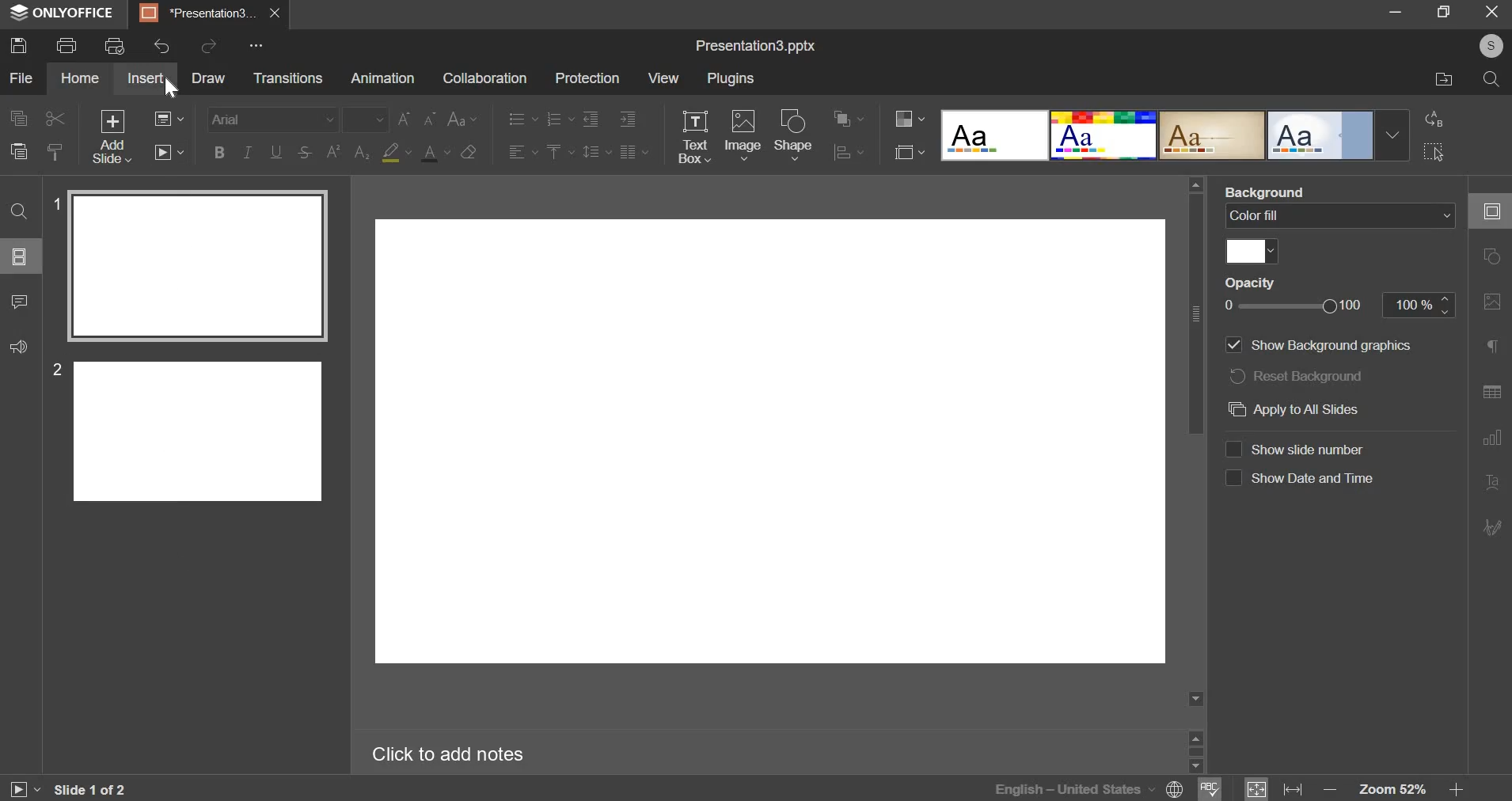 This screenshot has height=801, width=1512. Describe the element at coordinates (795, 136) in the screenshot. I see `shape` at that location.